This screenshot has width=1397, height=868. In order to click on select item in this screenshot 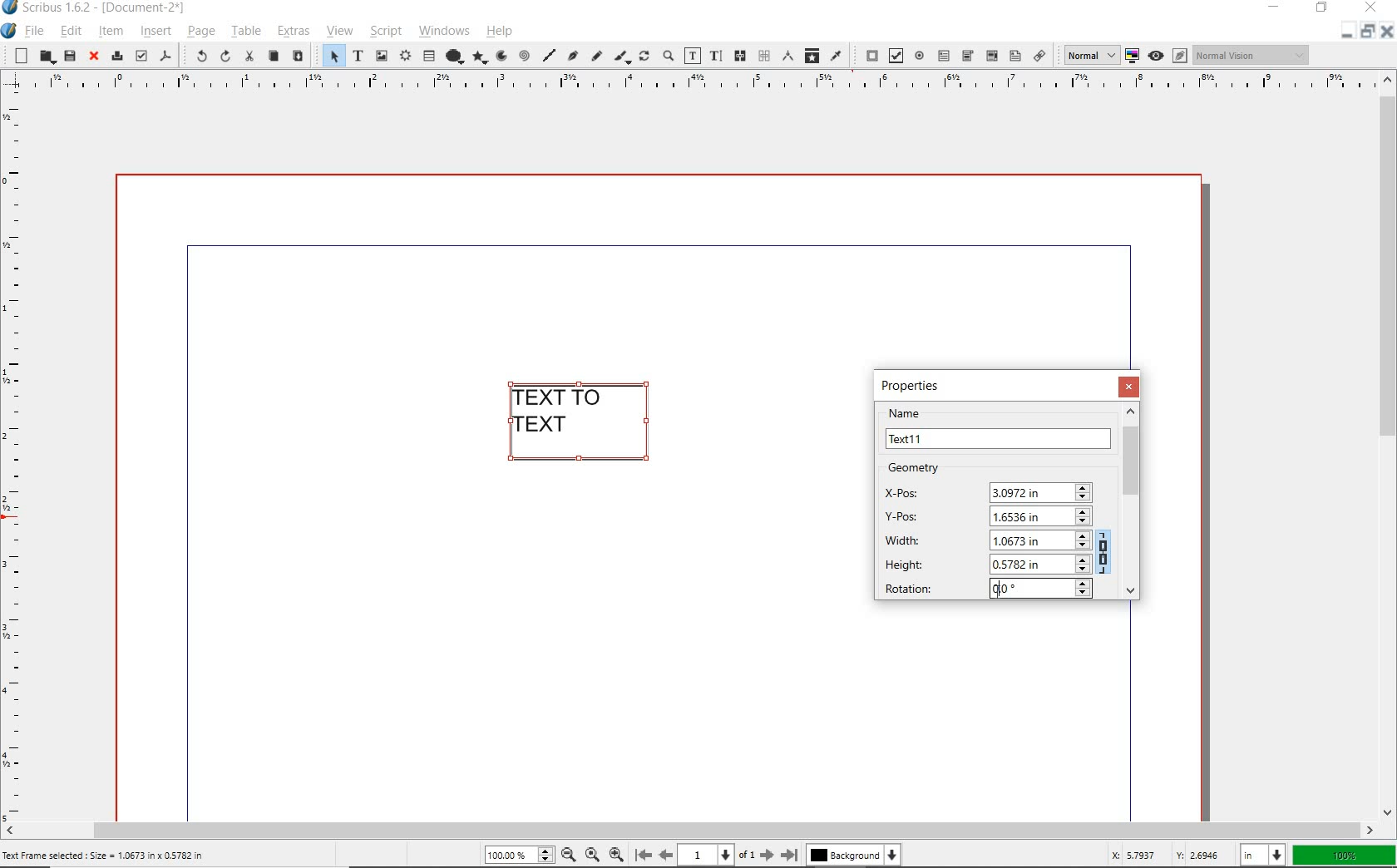, I will do `click(330, 55)`.